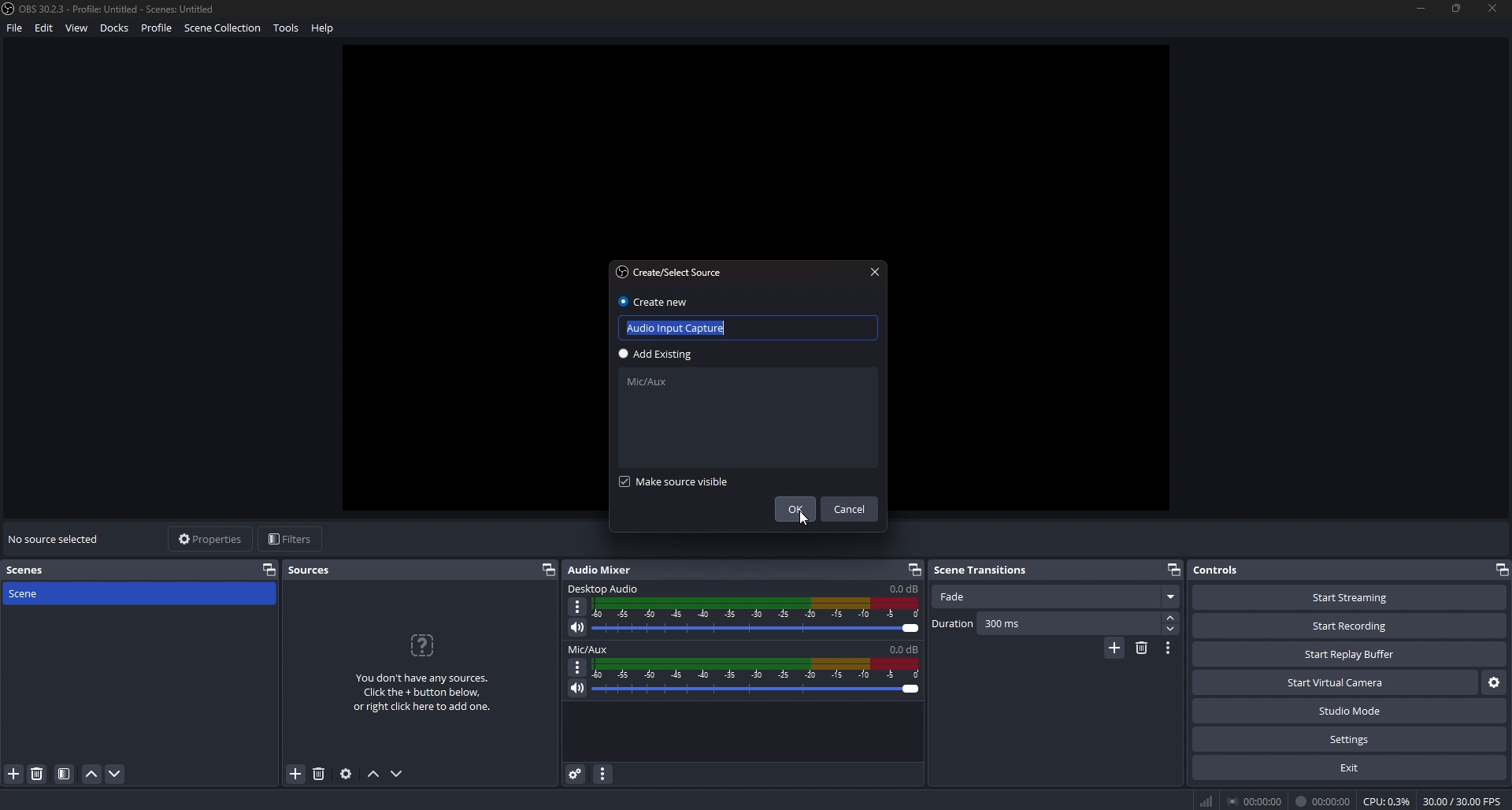 The width and height of the screenshot is (1512, 810). Describe the element at coordinates (1047, 623) in the screenshot. I see `duration` at that location.